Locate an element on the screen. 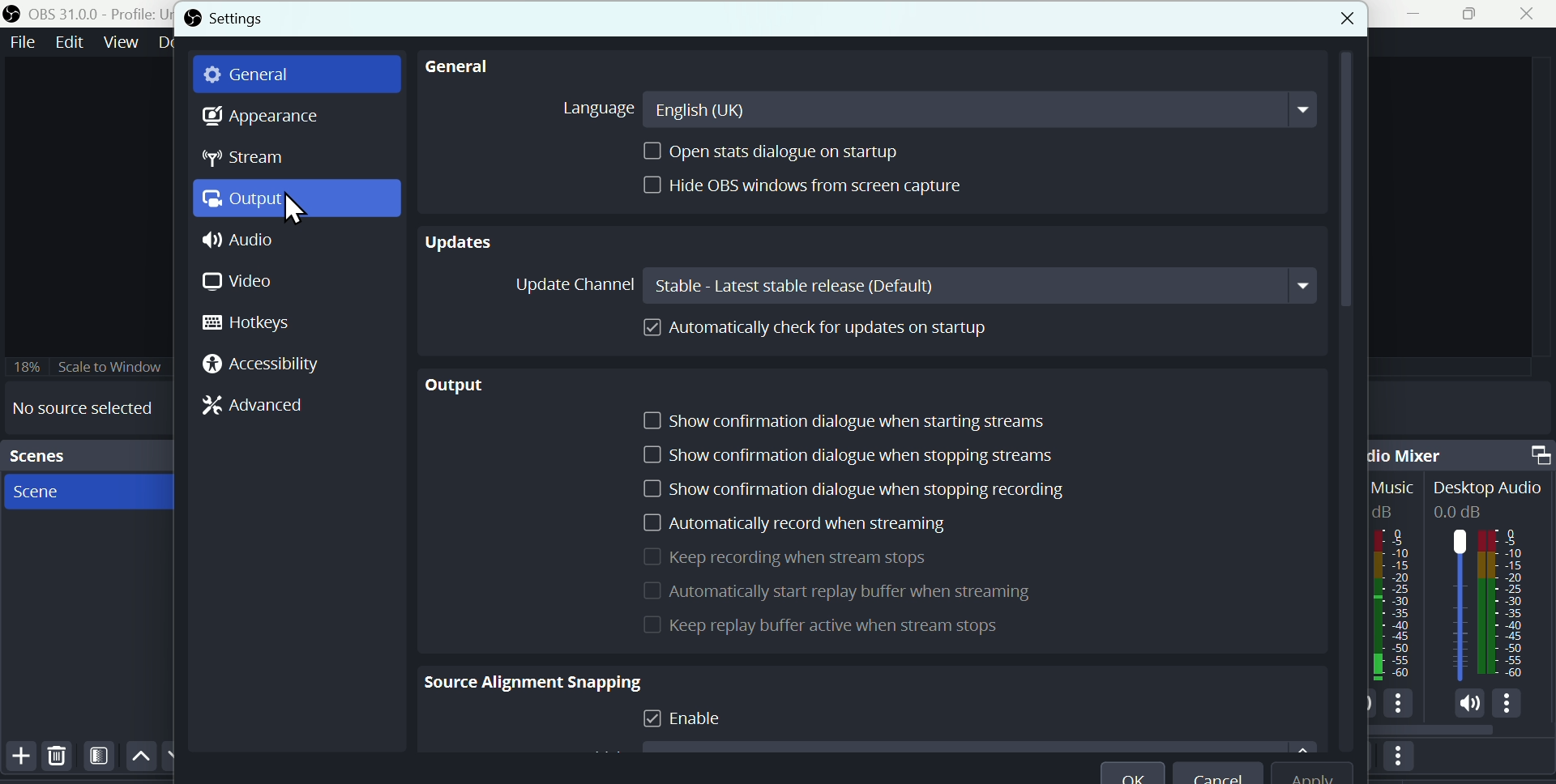 This screenshot has width=1556, height=784. Delete is located at coordinates (64, 762).